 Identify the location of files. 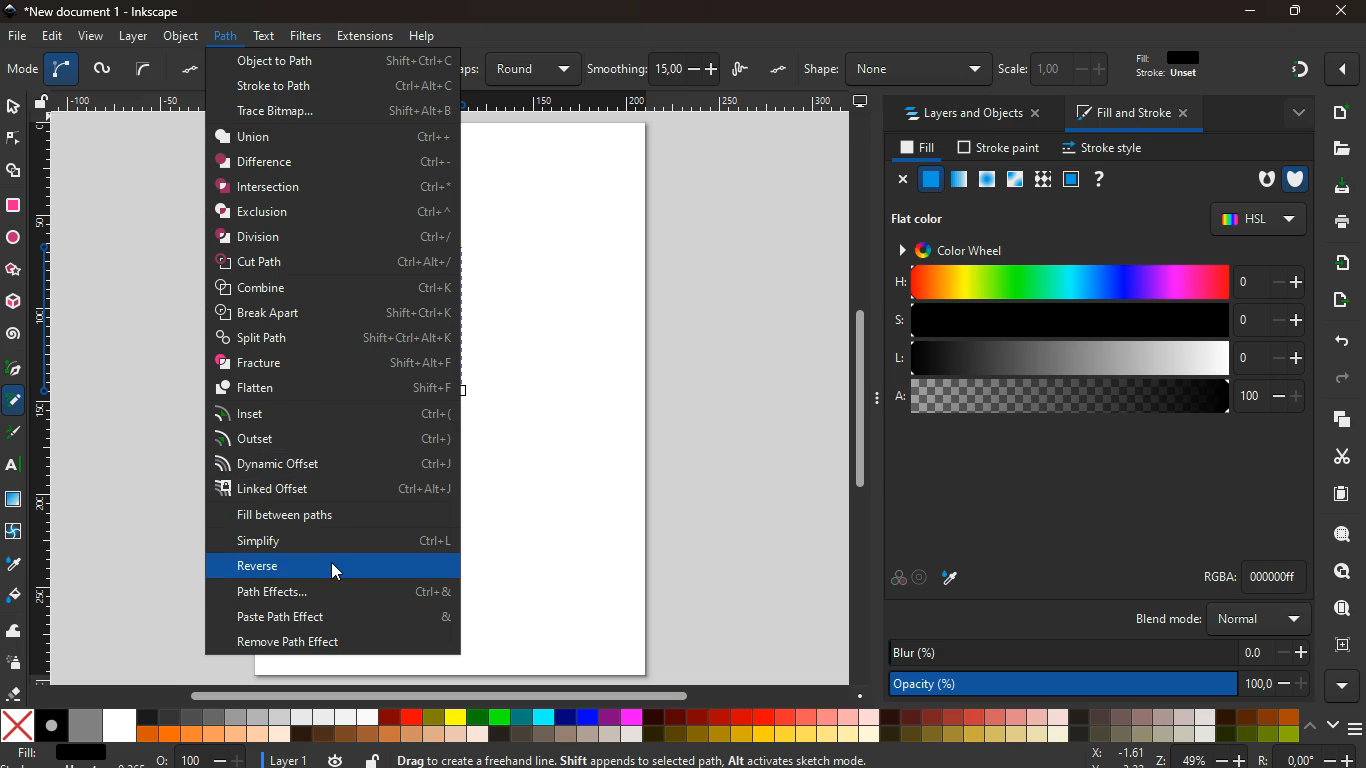
(1341, 149).